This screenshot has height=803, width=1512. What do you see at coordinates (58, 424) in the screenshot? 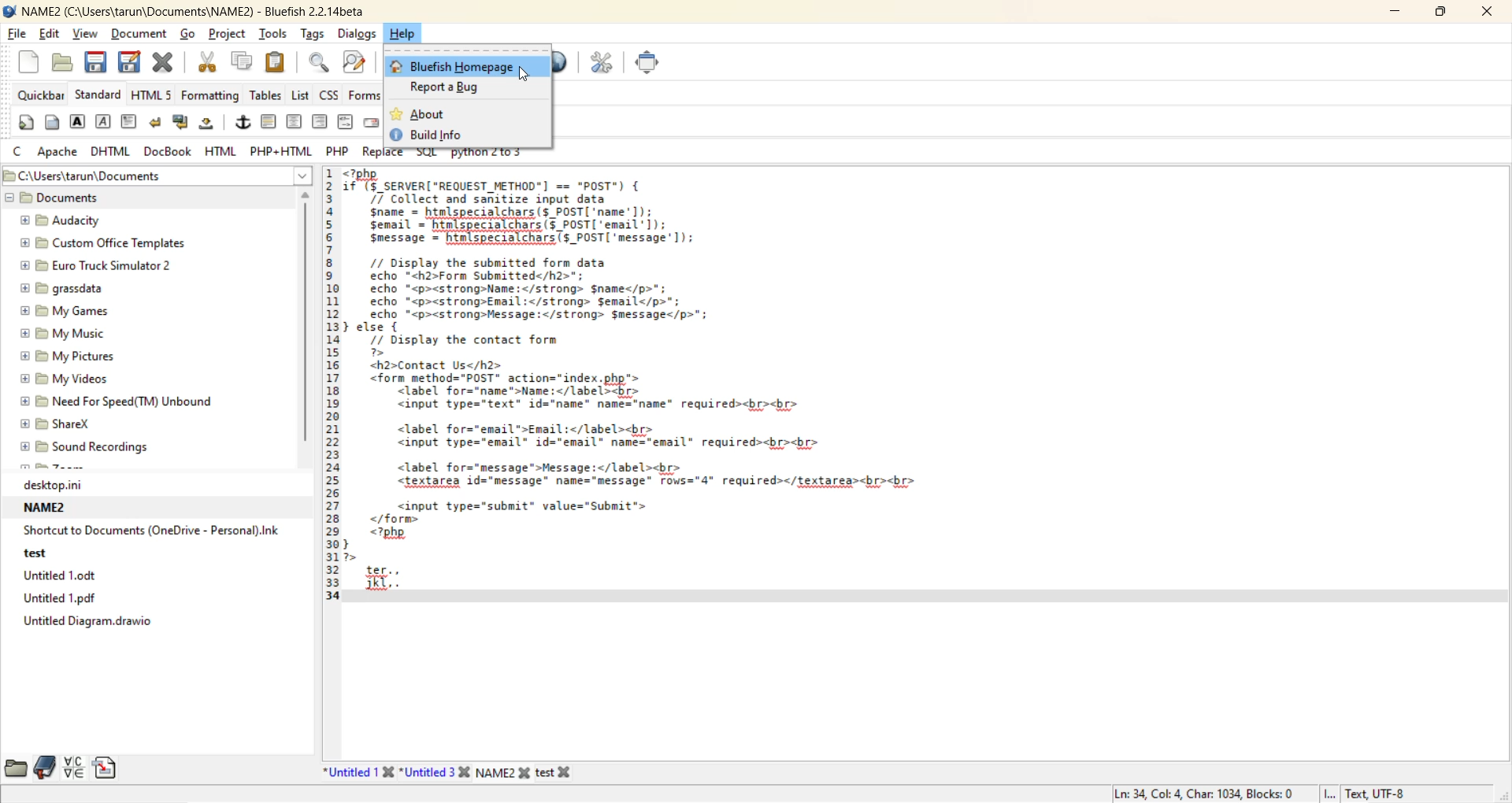
I see `SharexX` at bounding box center [58, 424].